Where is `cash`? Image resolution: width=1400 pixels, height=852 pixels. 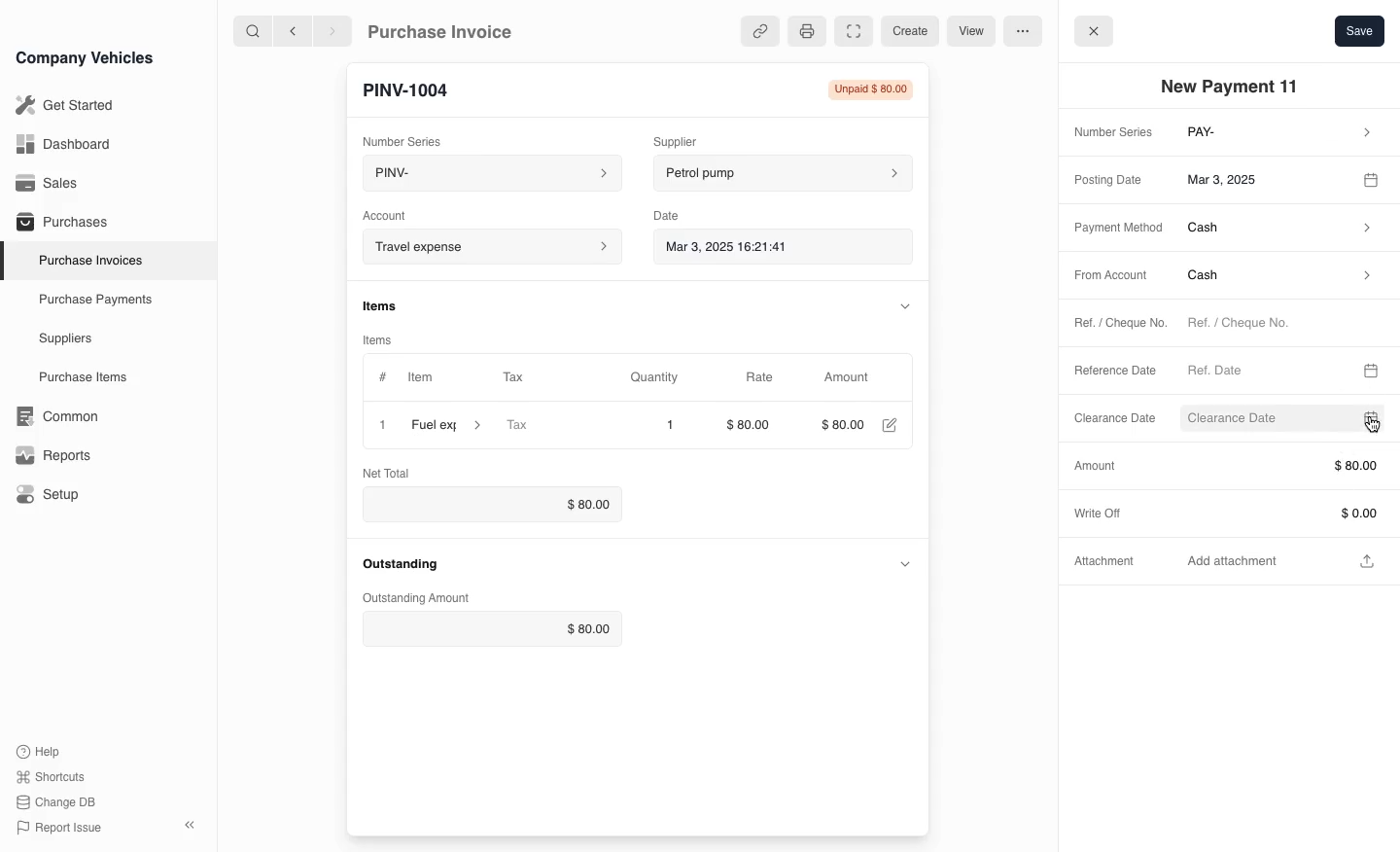
cash is located at coordinates (1277, 279).